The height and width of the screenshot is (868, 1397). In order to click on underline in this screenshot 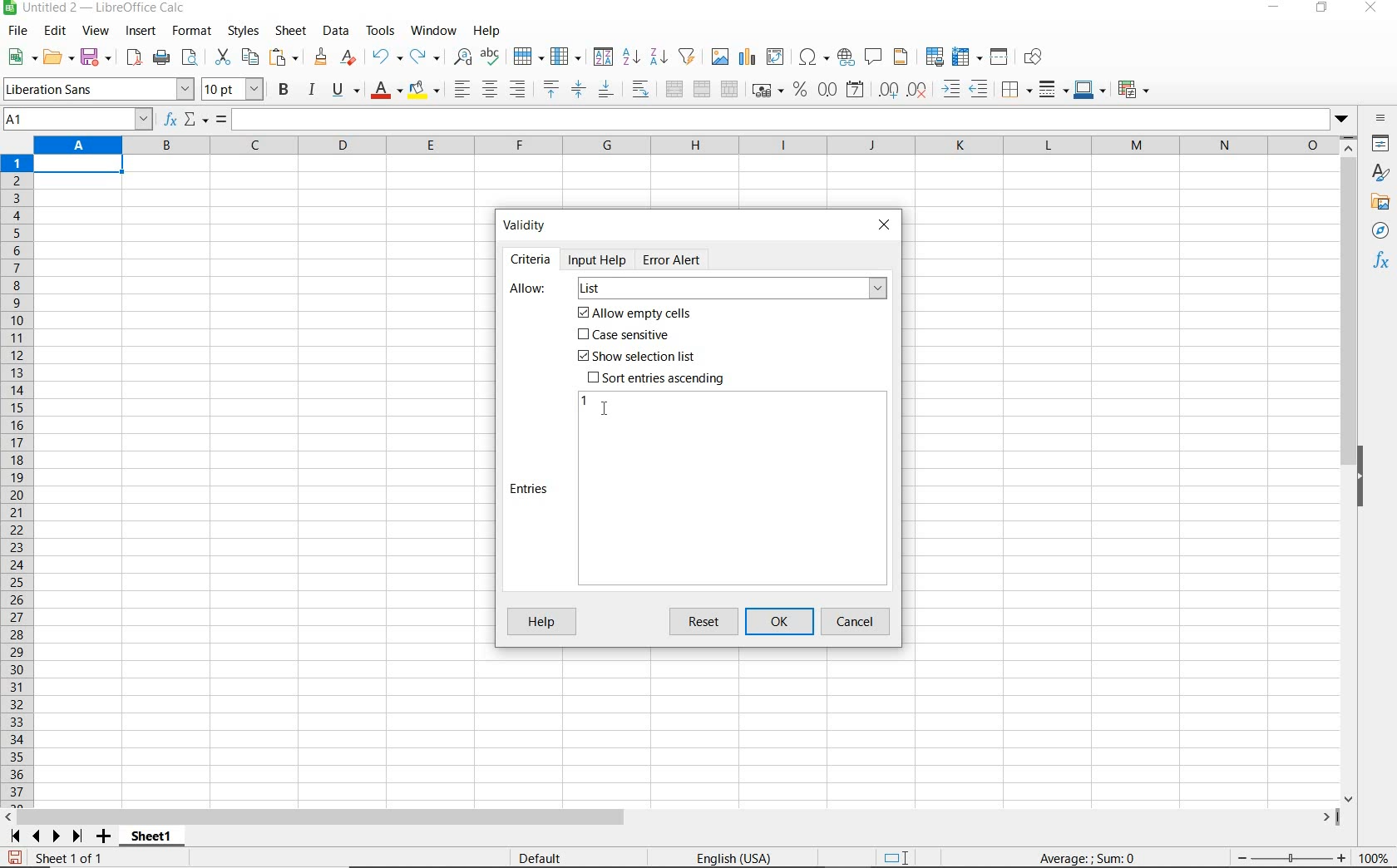, I will do `click(346, 91)`.